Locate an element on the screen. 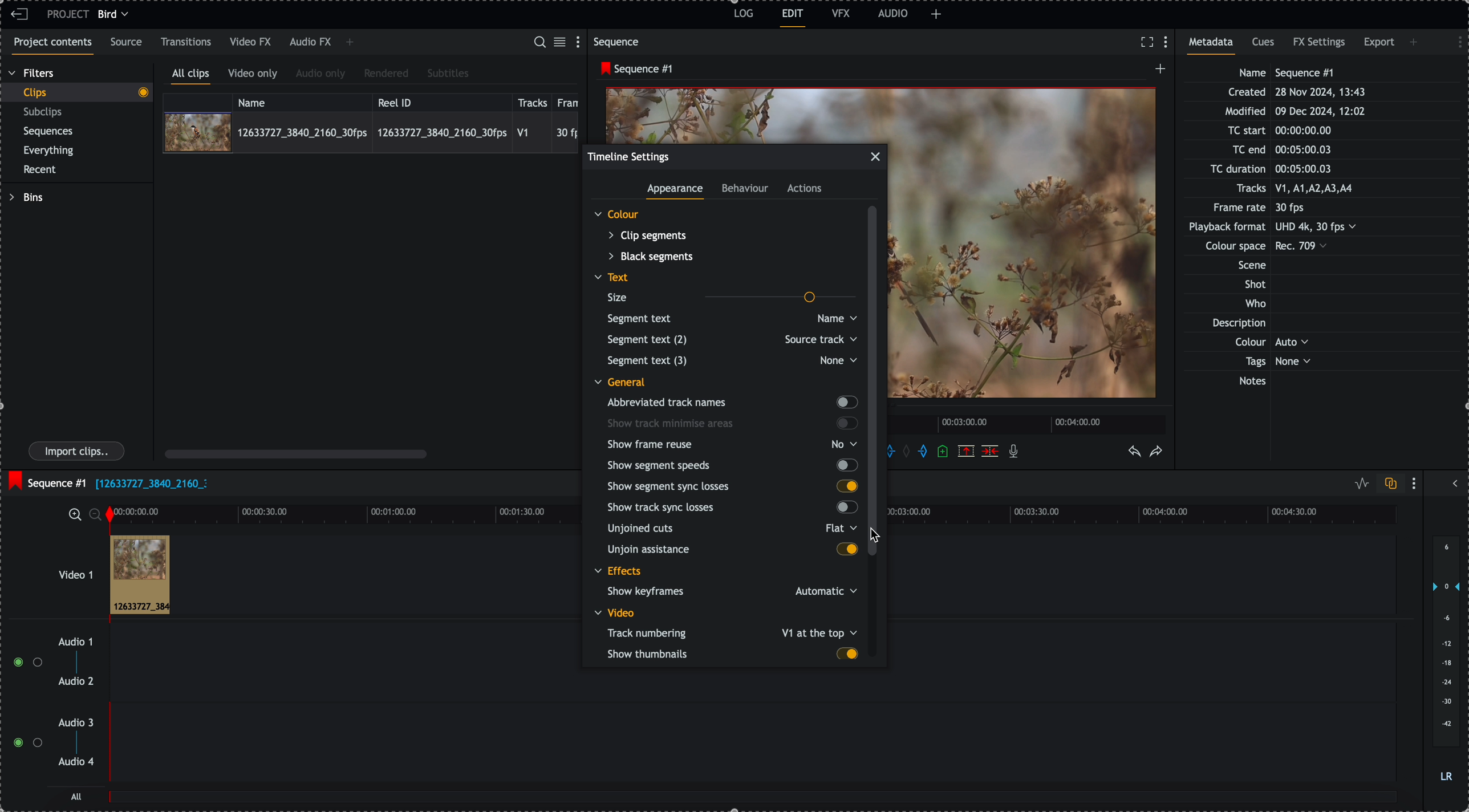 The width and height of the screenshot is (1469, 812). colour is located at coordinates (617, 215).